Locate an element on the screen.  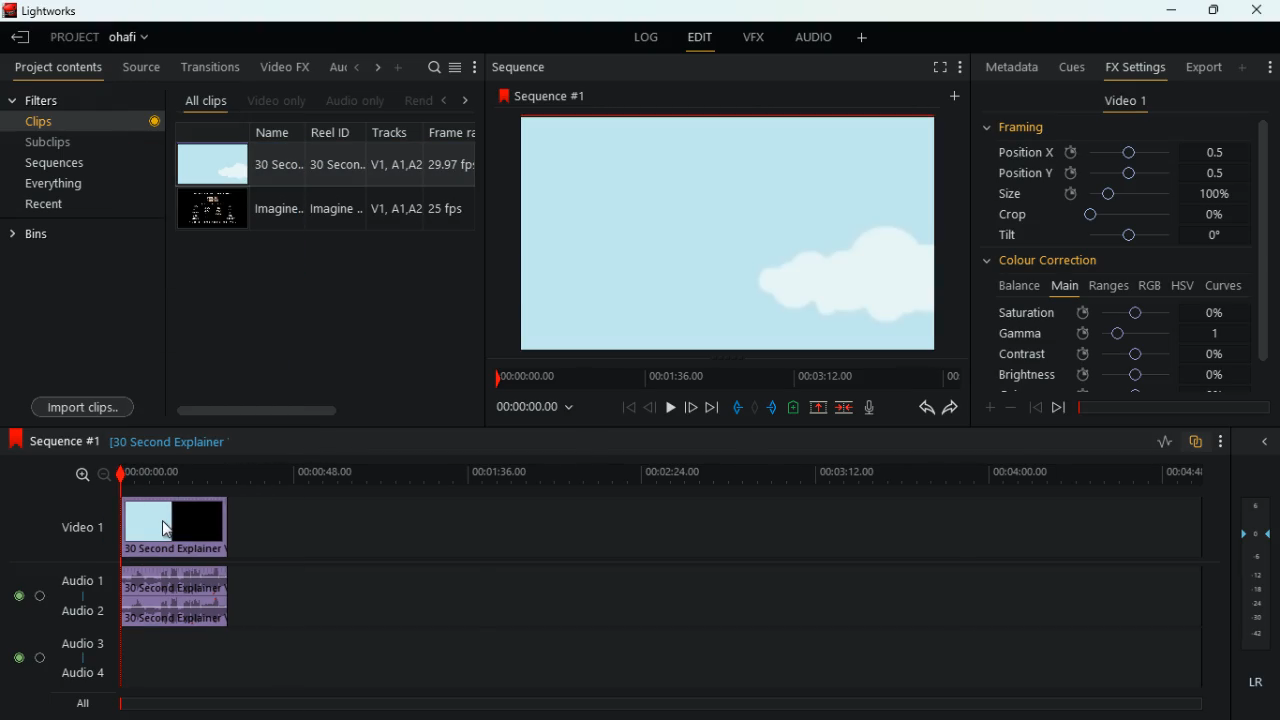
mic is located at coordinates (866, 408).